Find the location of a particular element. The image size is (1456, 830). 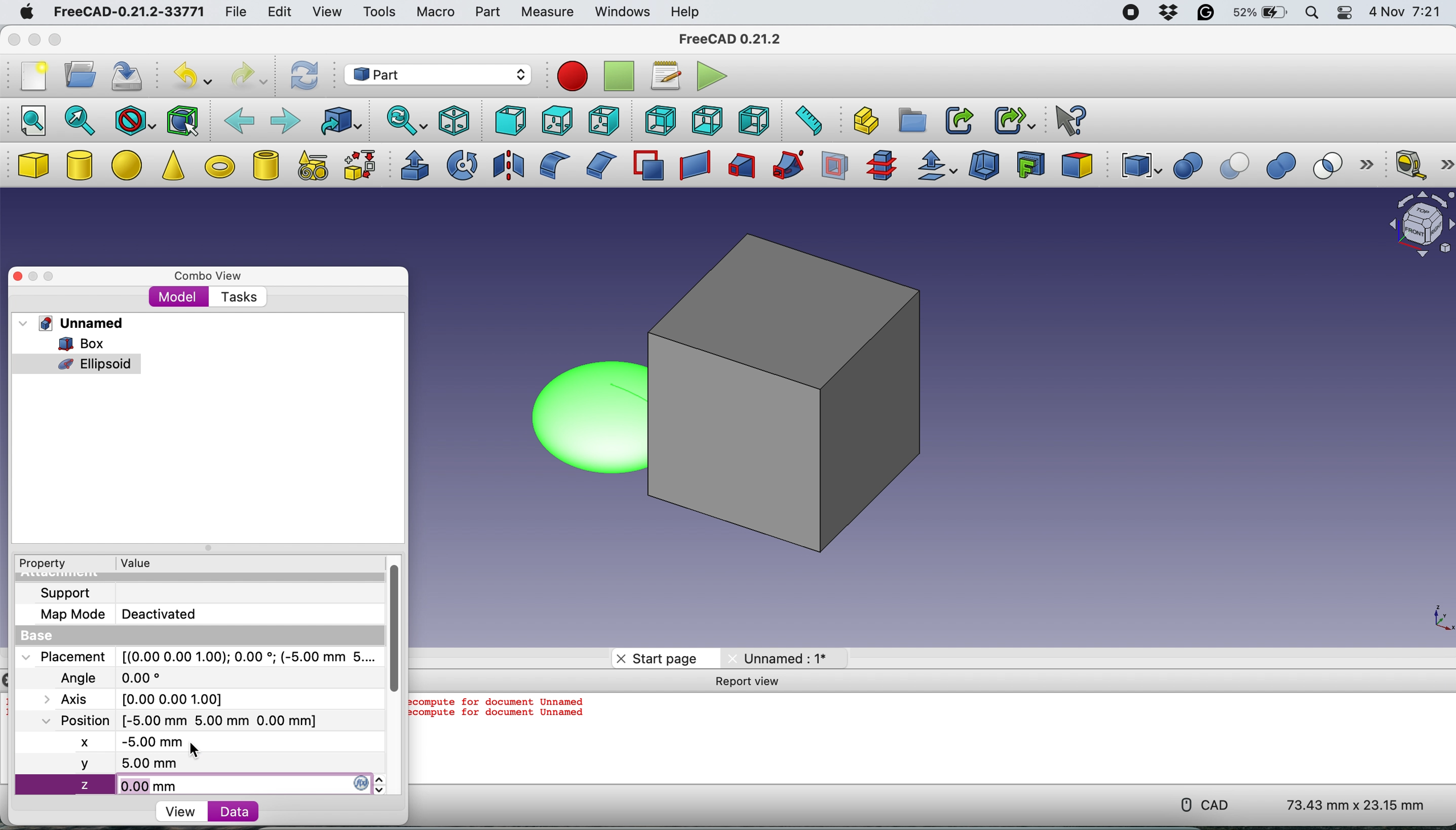

cross section is located at coordinates (882, 166).